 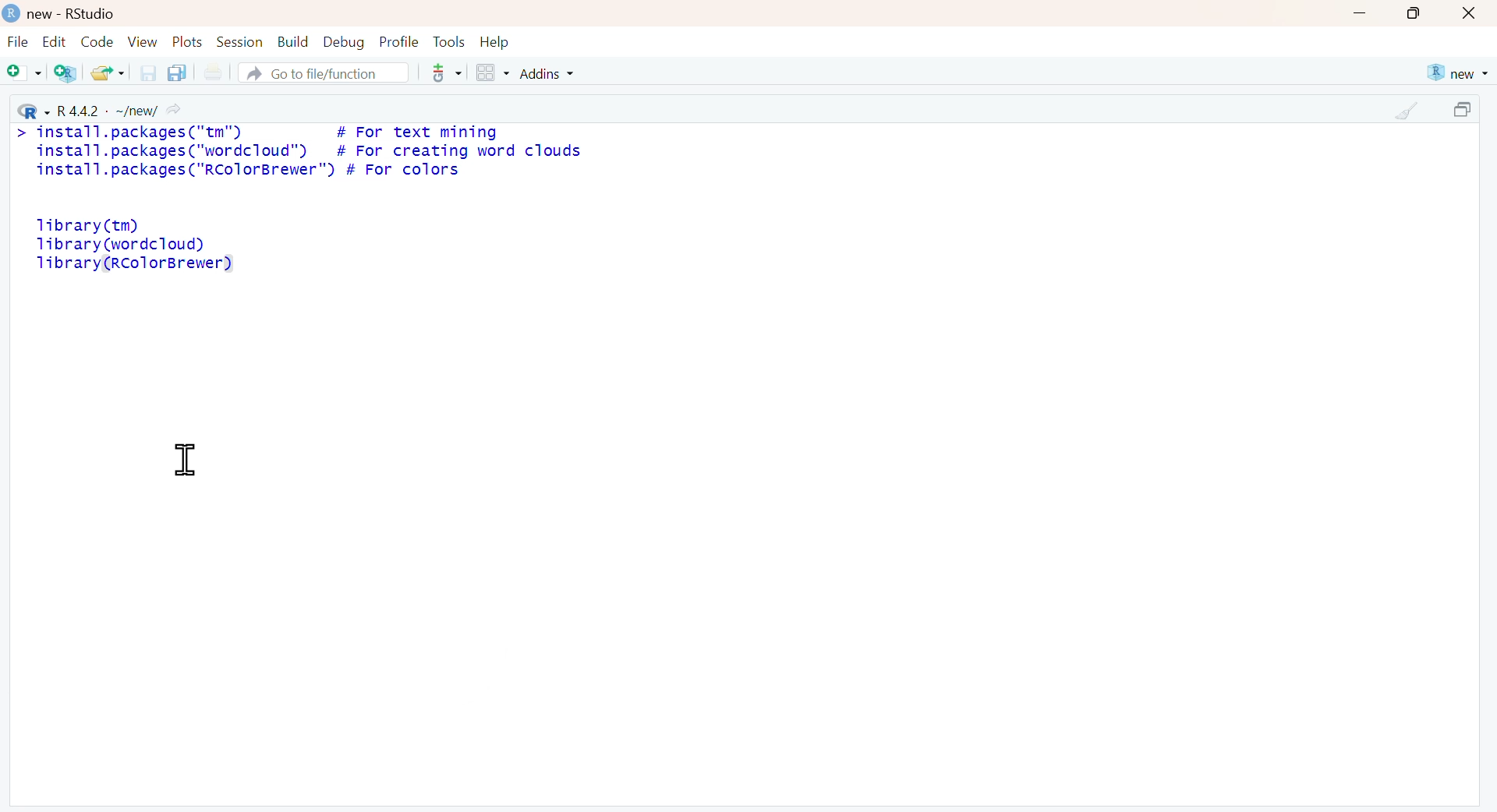 What do you see at coordinates (107, 72) in the screenshot?
I see `Open an existing file` at bounding box center [107, 72].